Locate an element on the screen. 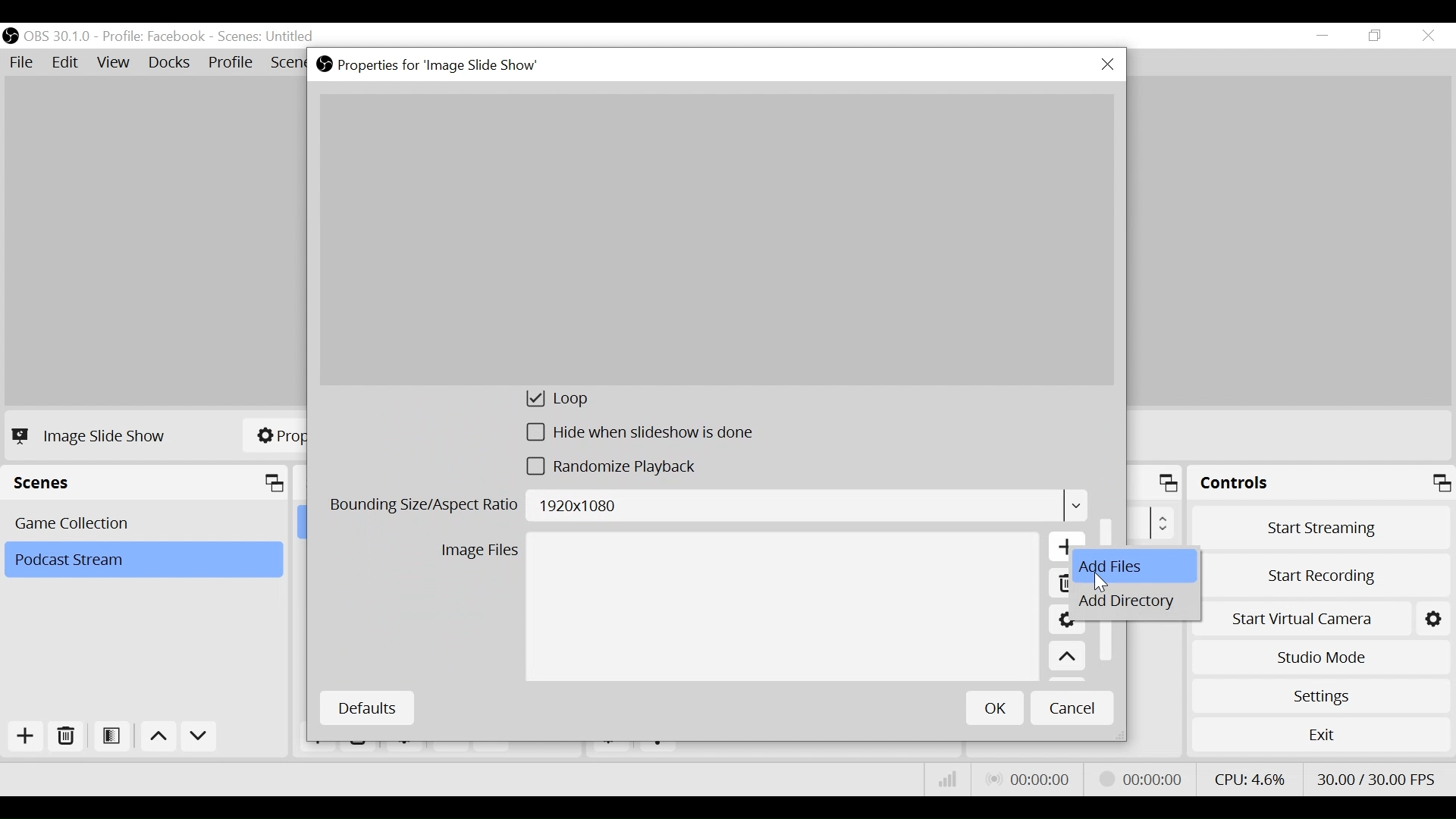 The height and width of the screenshot is (819, 1456). (un)select loop is located at coordinates (577, 401).